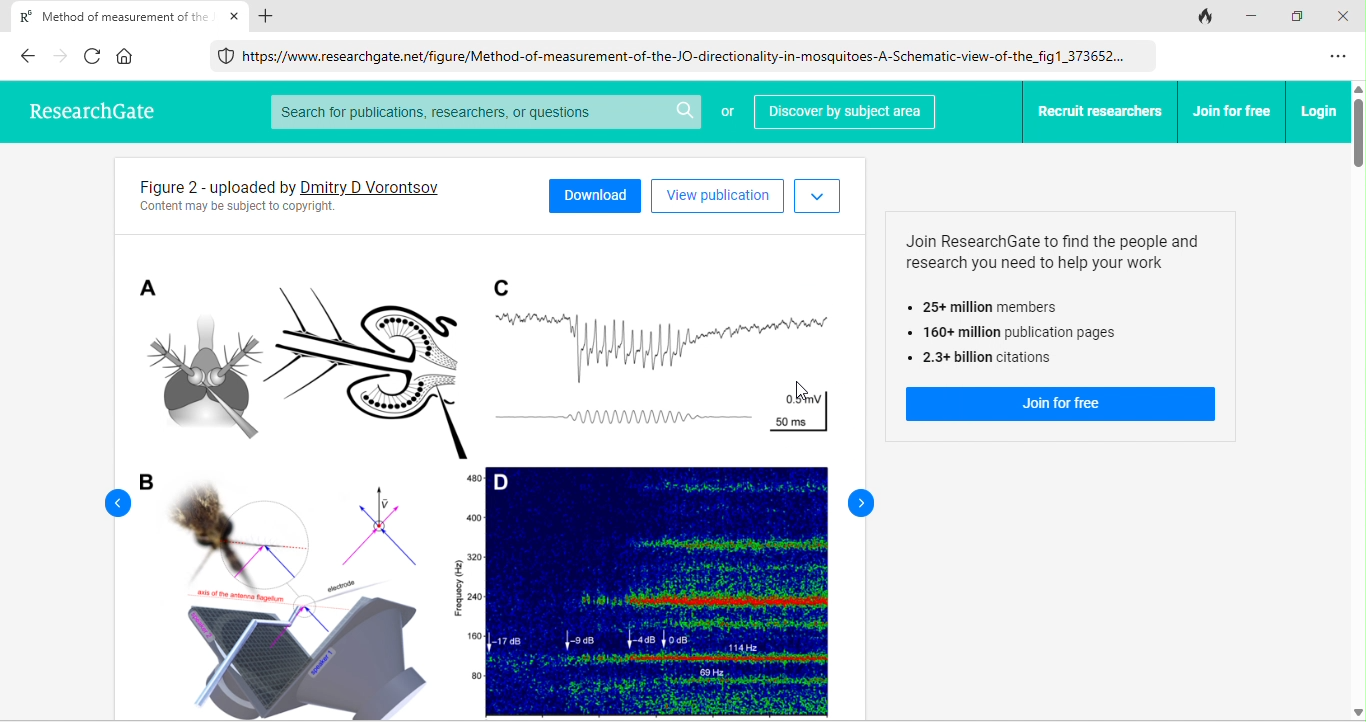 The image size is (1366, 722). Describe the element at coordinates (108, 502) in the screenshot. I see `back` at that location.